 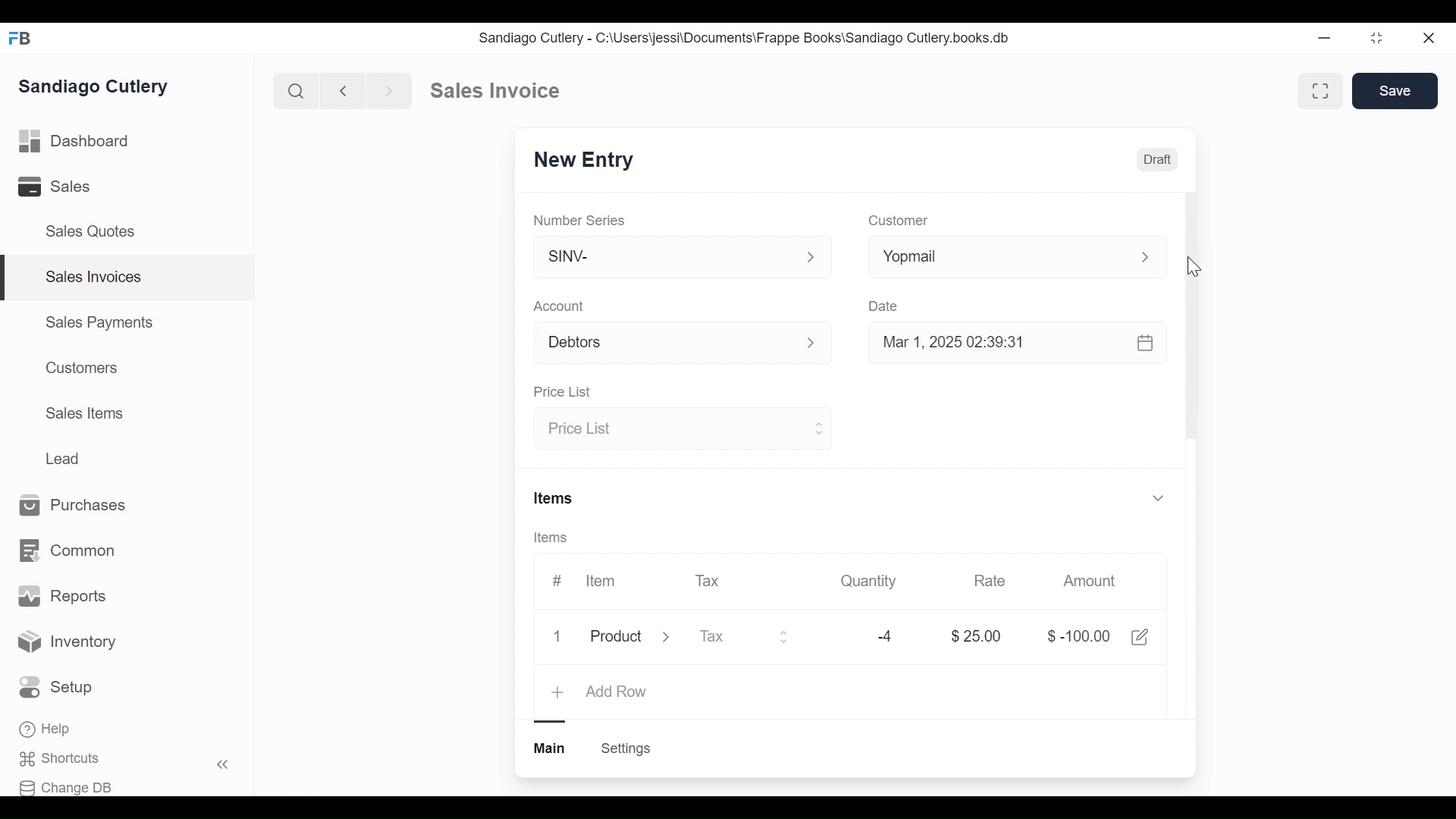 What do you see at coordinates (60, 595) in the screenshot?
I see `Reports` at bounding box center [60, 595].